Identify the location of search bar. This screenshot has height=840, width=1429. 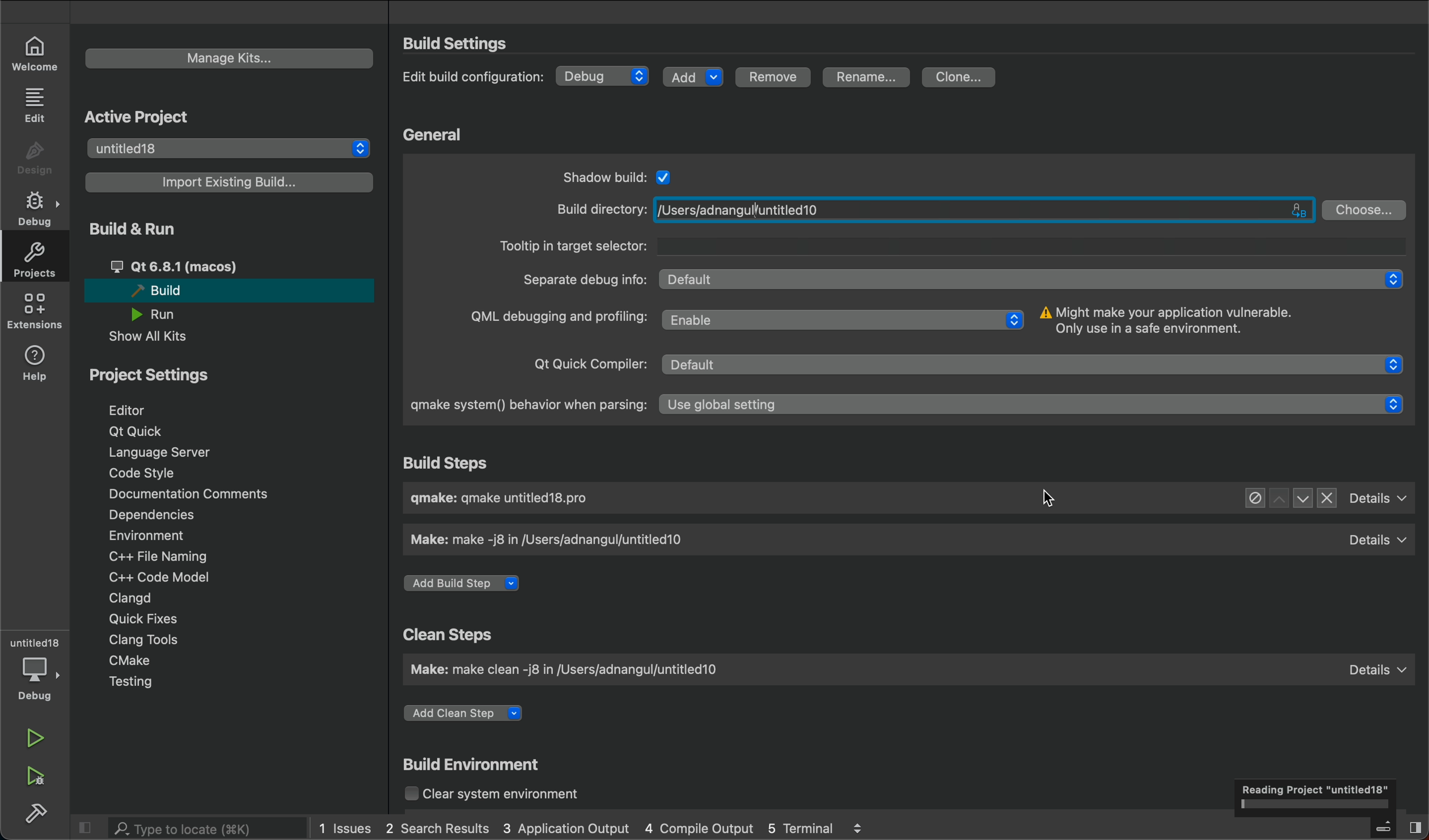
(193, 828).